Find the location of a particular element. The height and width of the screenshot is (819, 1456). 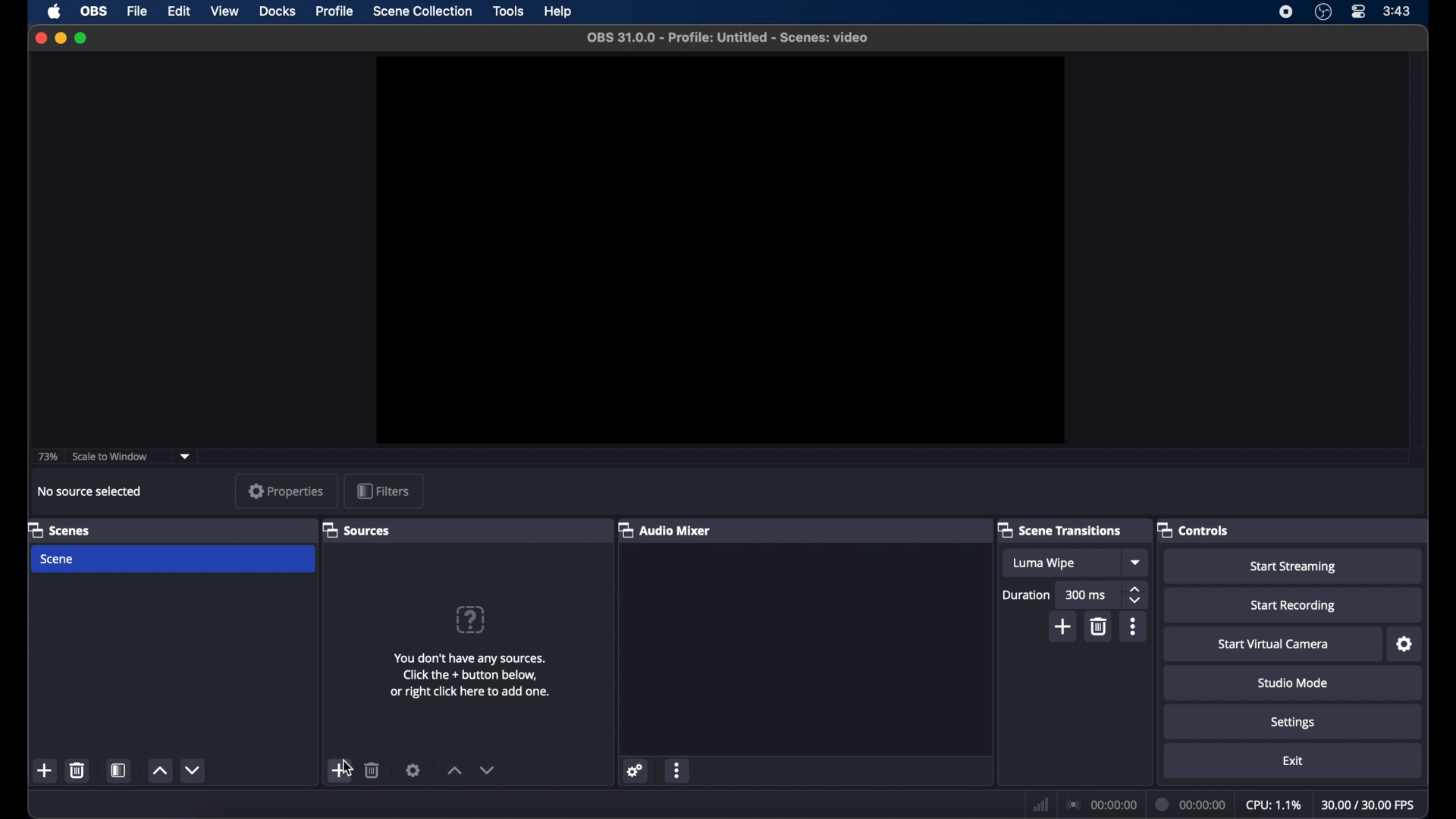

decrement is located at coordinates (487, 770).